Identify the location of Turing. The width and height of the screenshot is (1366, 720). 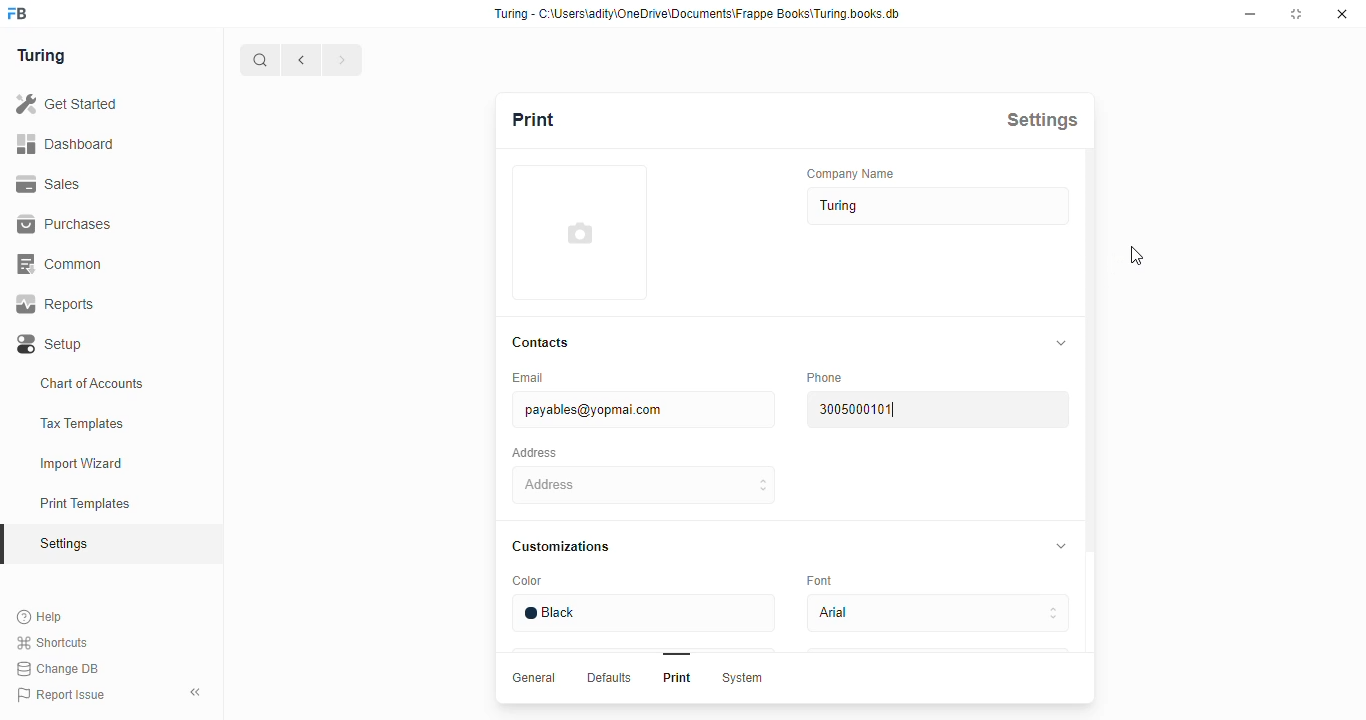
(934, 208).